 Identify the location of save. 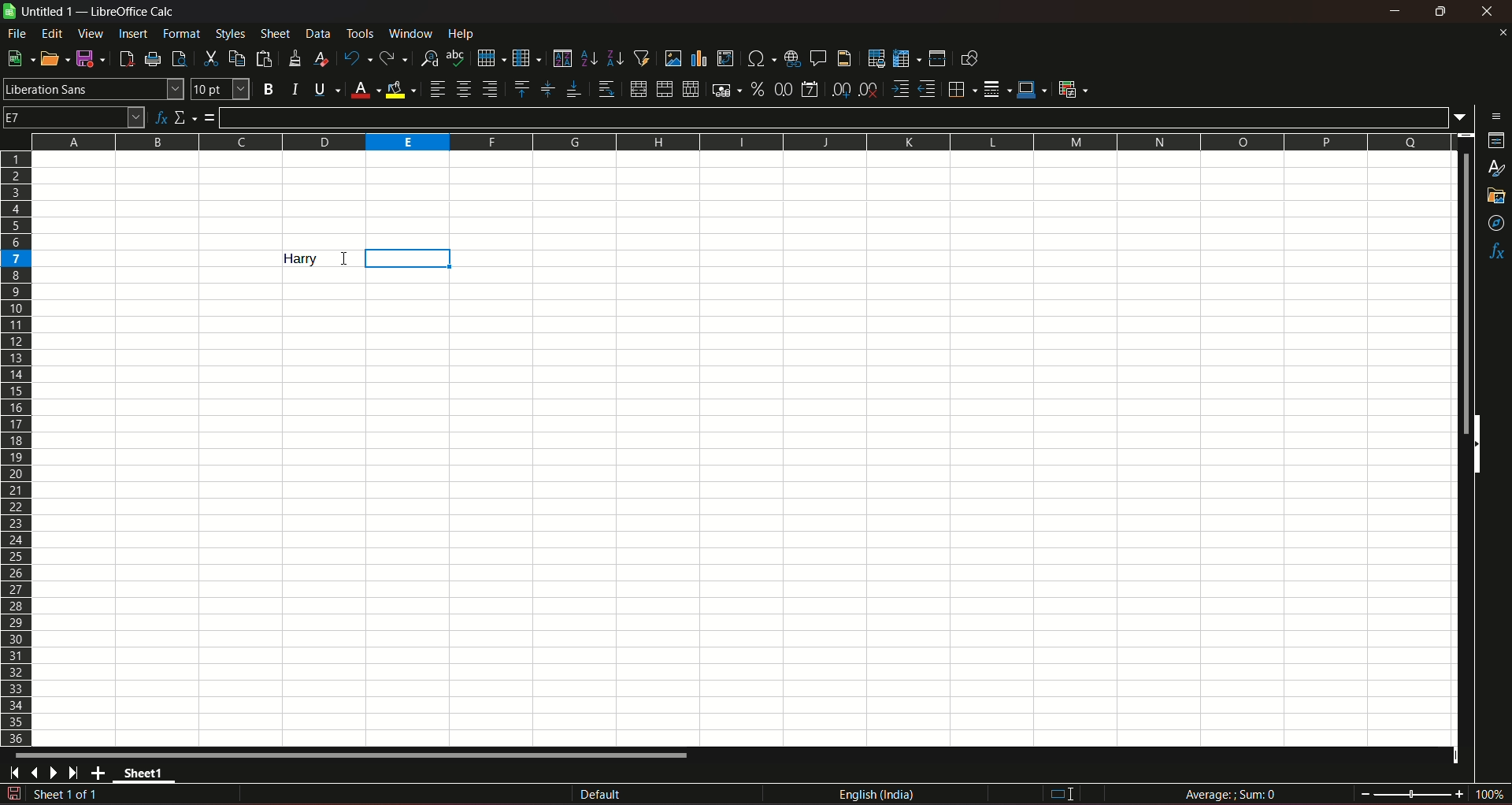
(87, 57).